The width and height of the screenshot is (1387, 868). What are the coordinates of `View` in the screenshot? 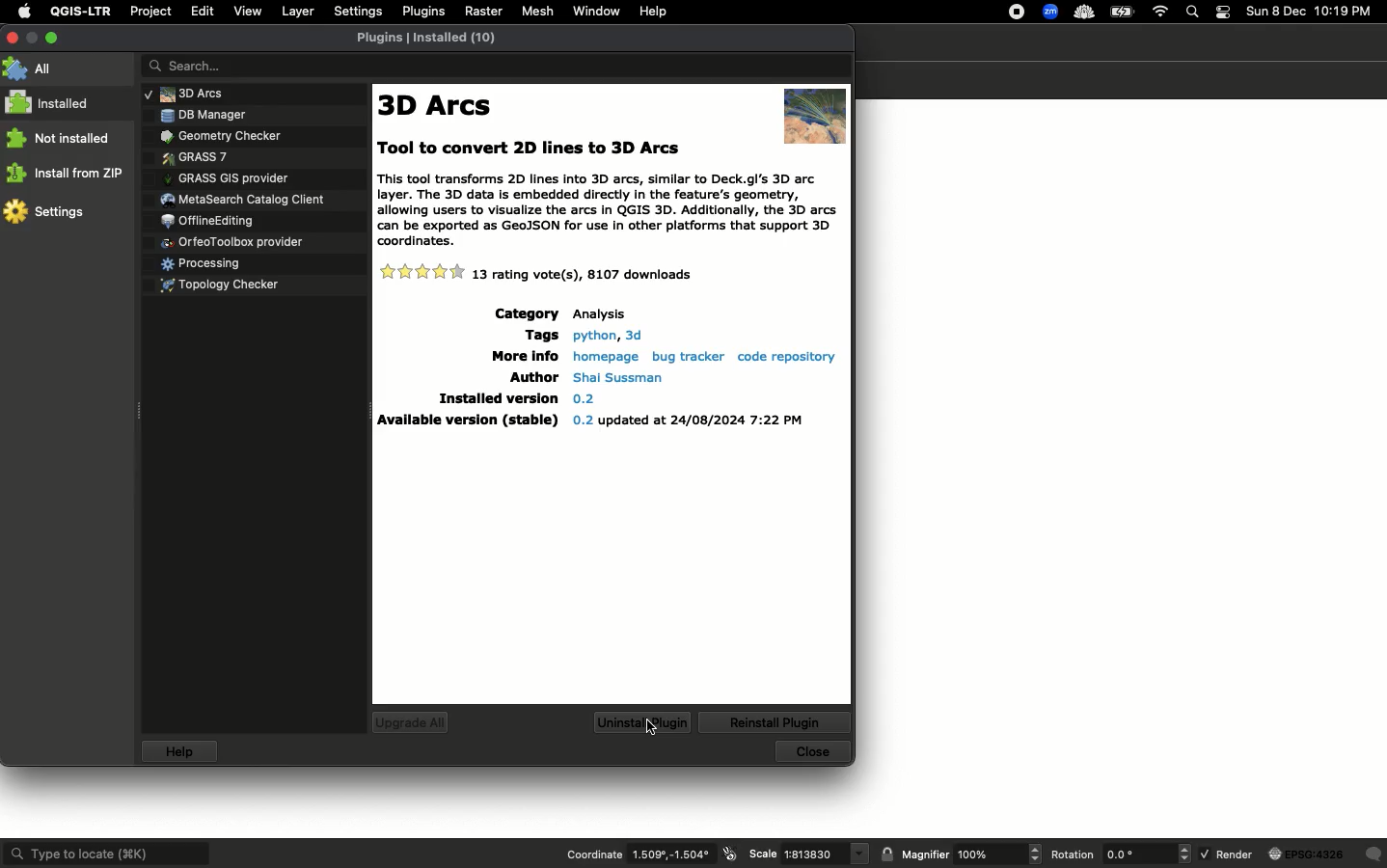 It's located at (247, 12).